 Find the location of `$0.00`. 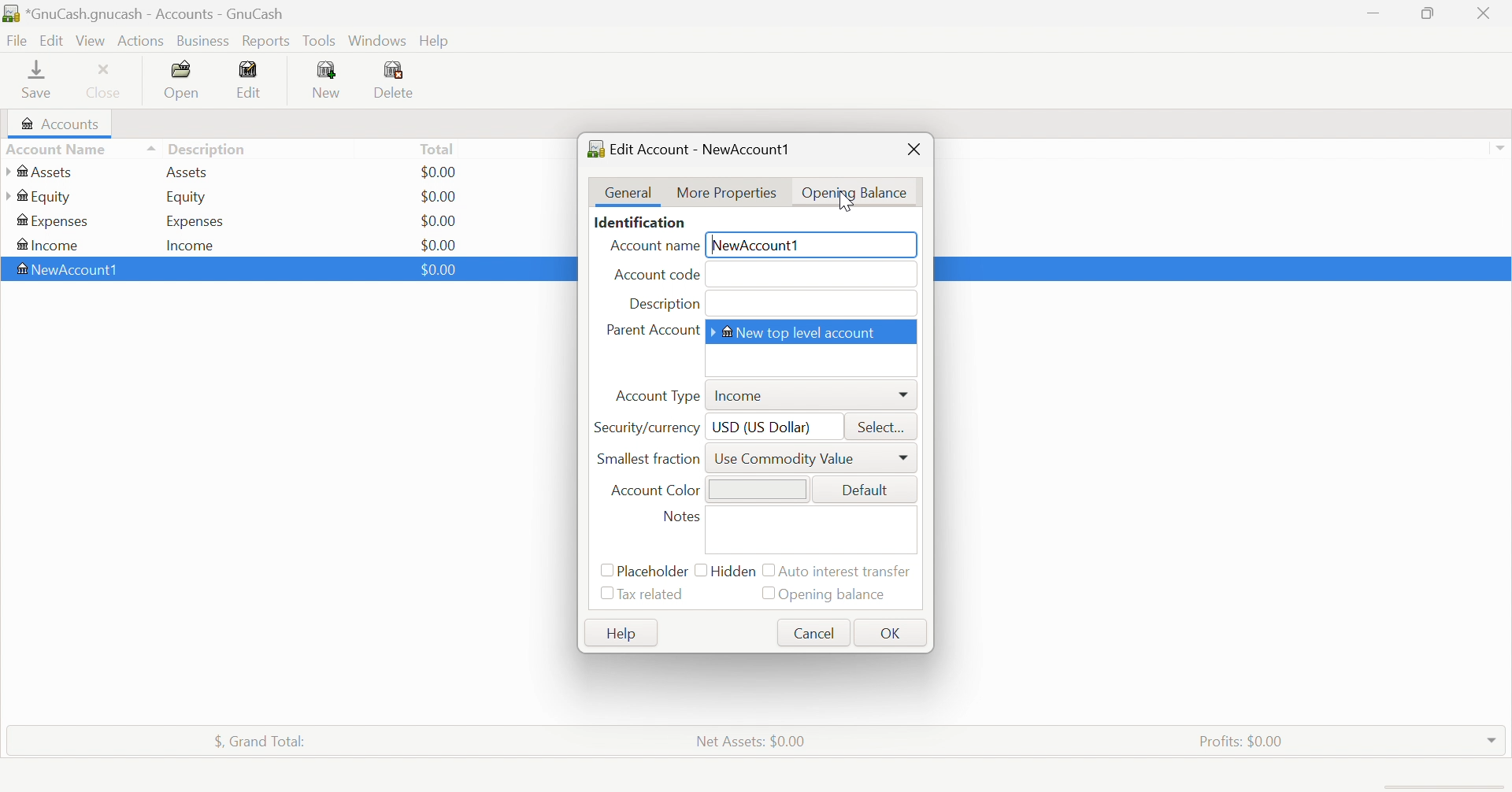

$0.00 is located at coordinates (440, 220).